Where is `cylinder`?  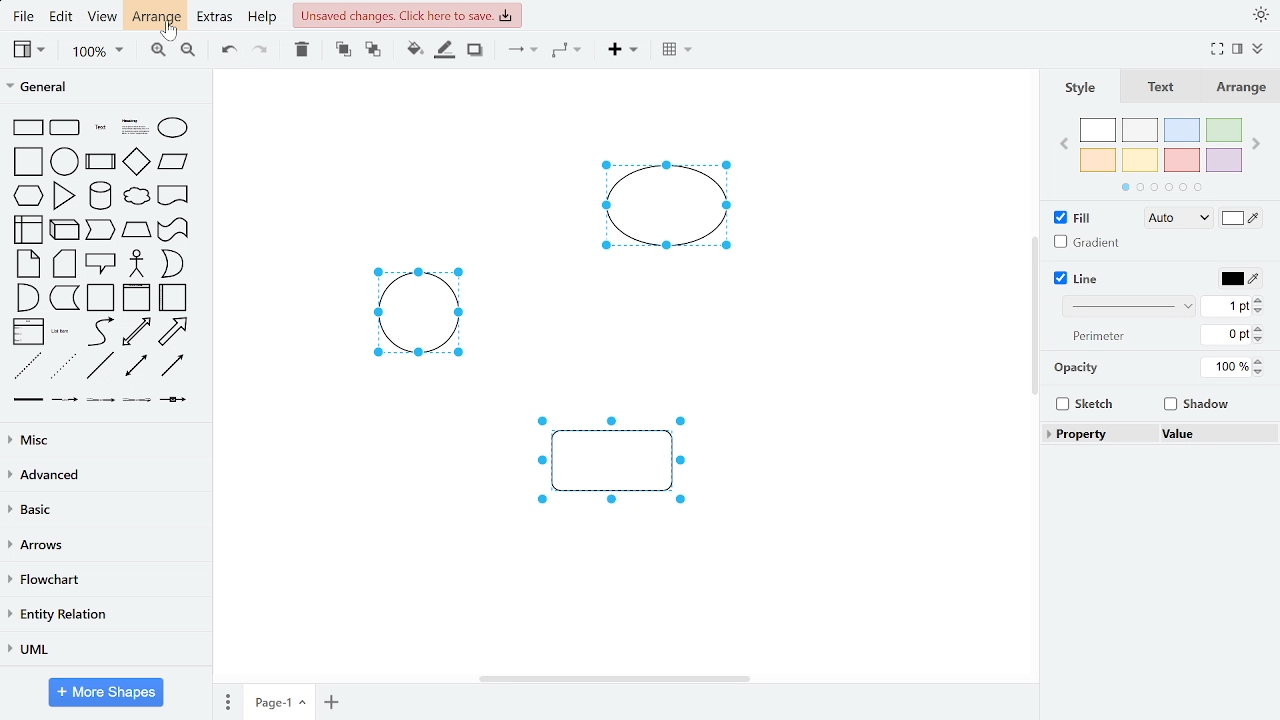 cylinder is located at coordinates (100, 196).